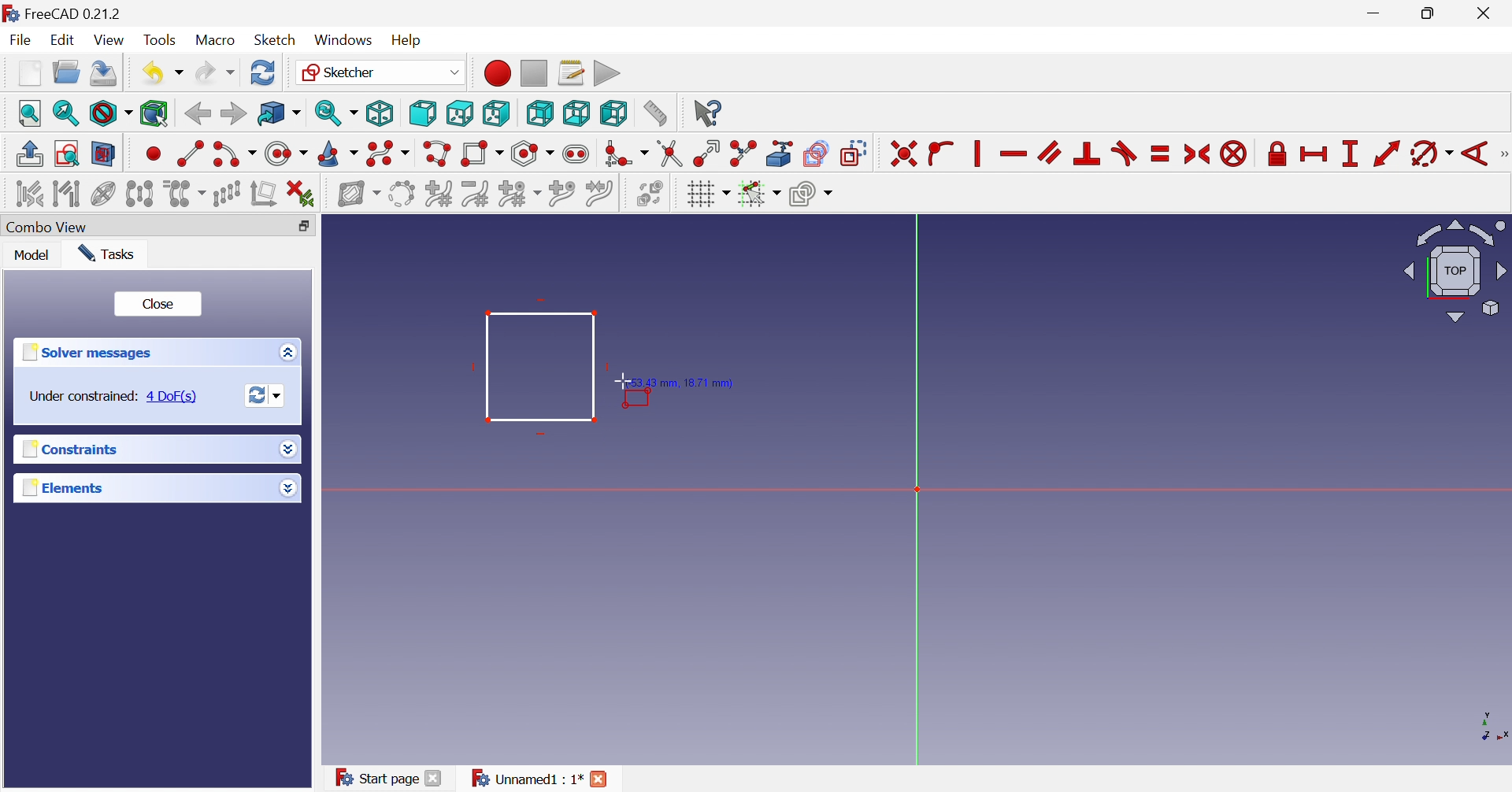  Describe the element at coordinates (379, 114) in the screenshot. I see `Isometric` at that location.